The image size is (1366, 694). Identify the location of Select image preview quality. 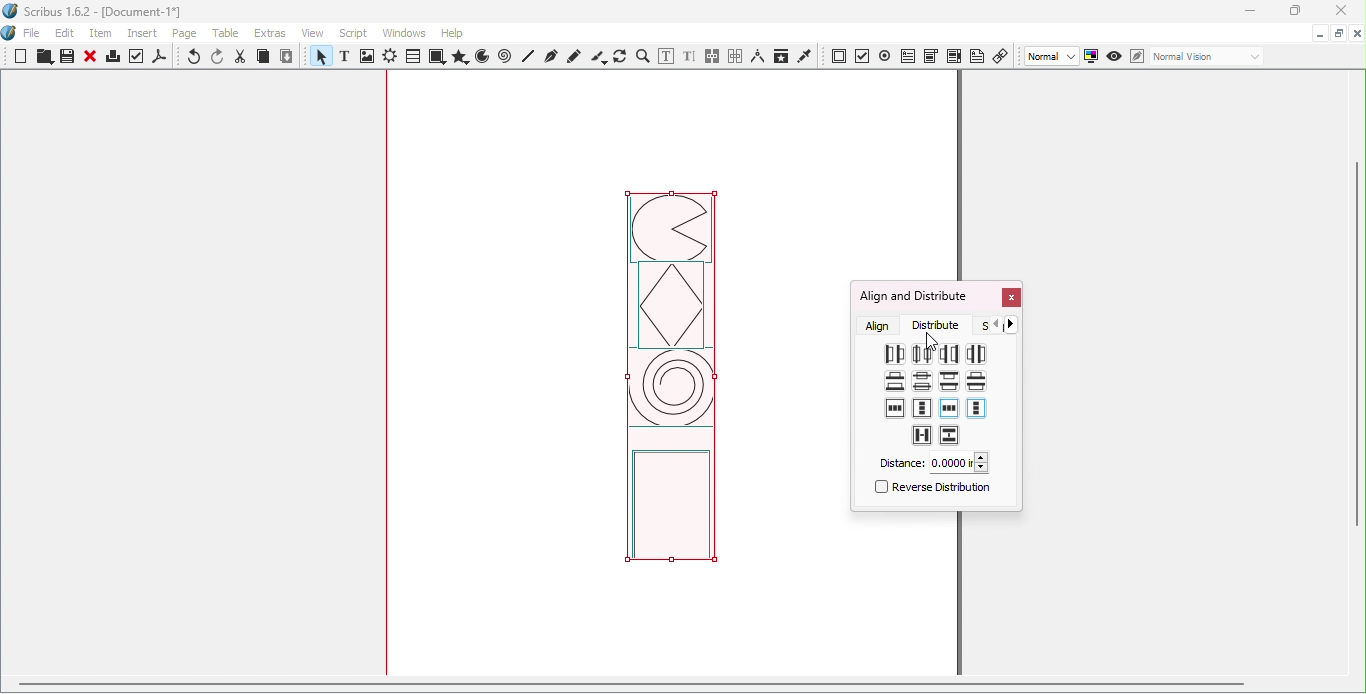
(1053, 57).